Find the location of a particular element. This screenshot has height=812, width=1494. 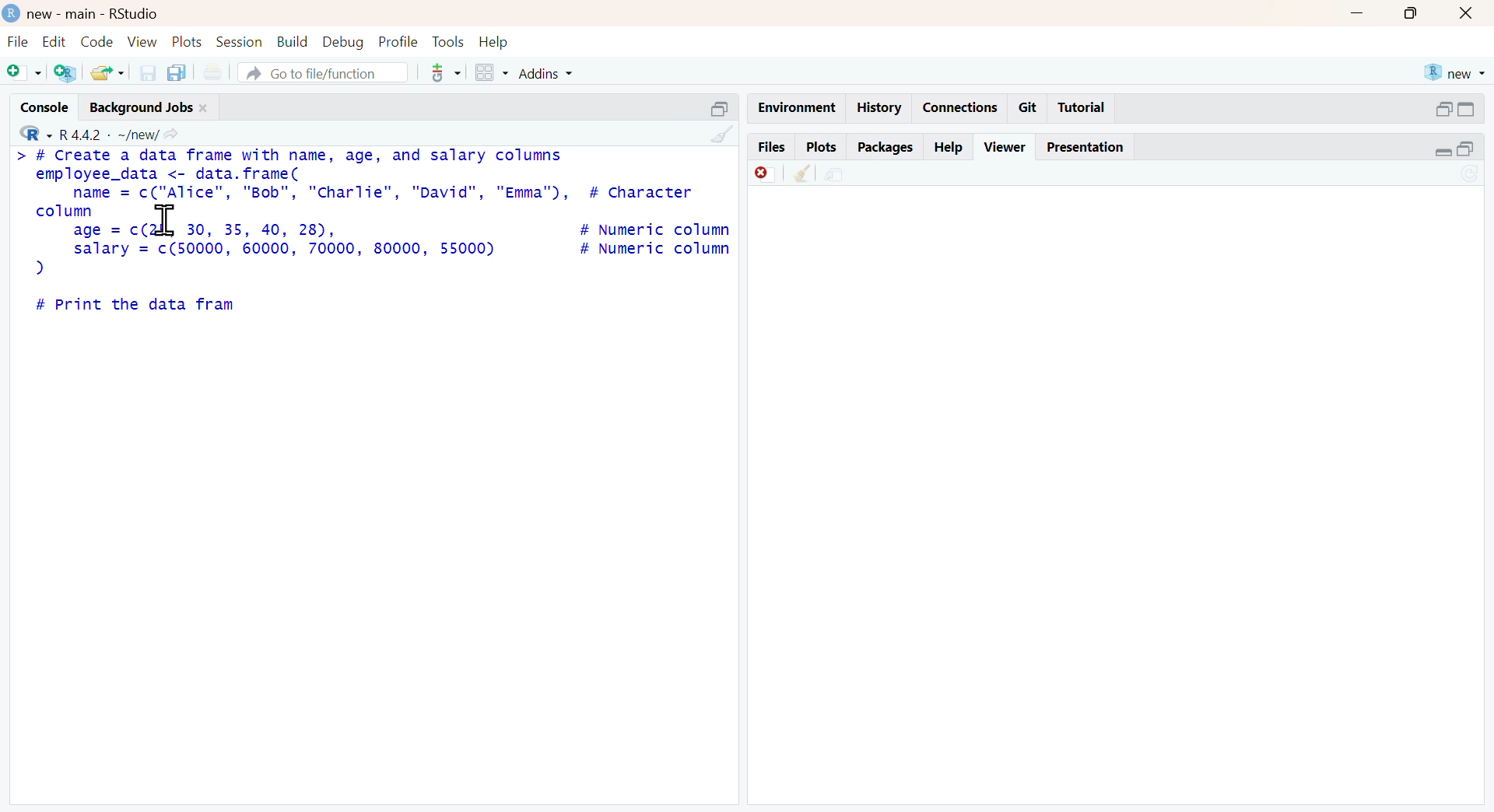

Addins  is located at coordinates (569, 73).